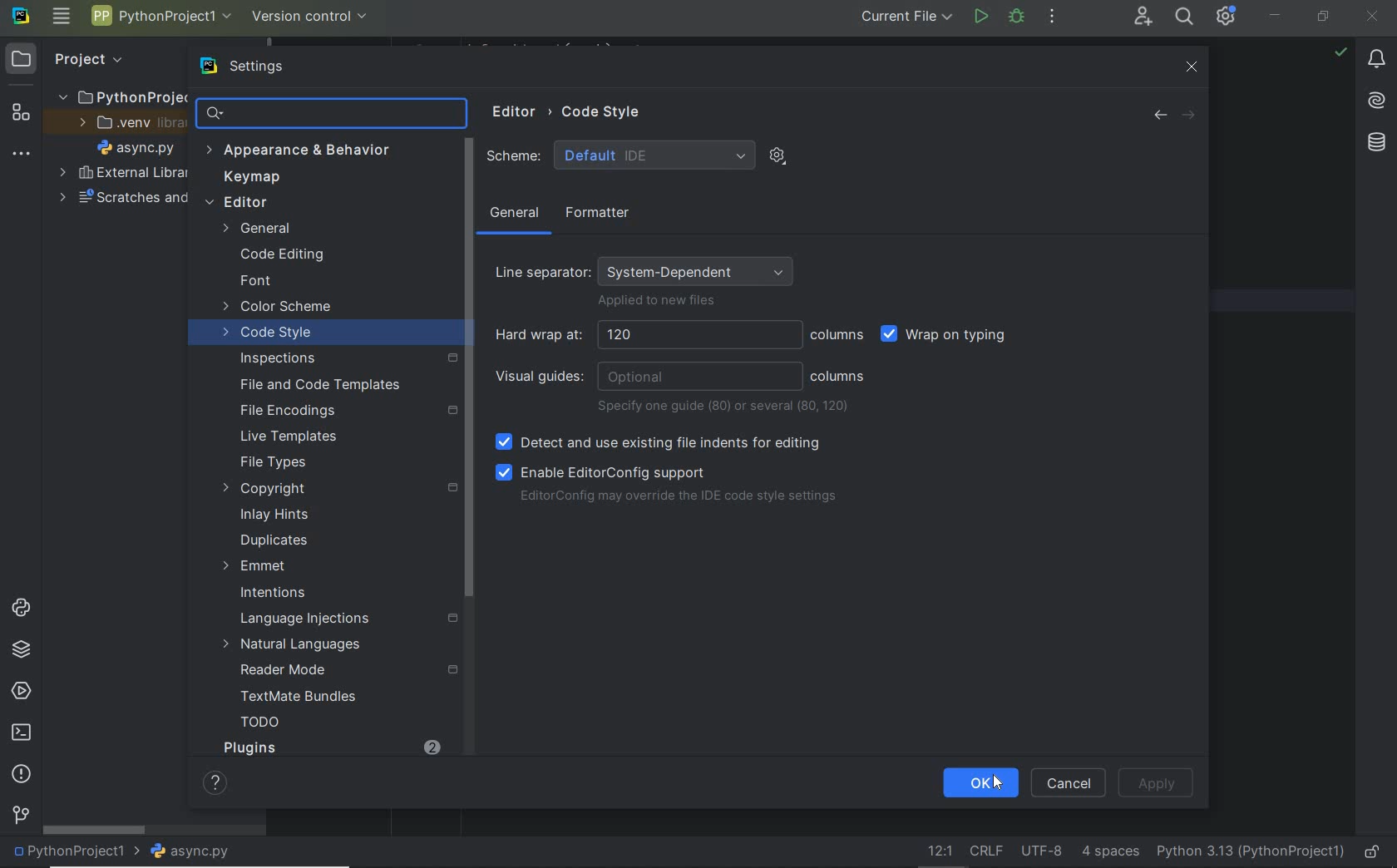 This screenshot has width=1397, height=868. What do you see at coordinates (275, 540) in the screenshot?
I see `duplicates` at bounding box center [275, 540].